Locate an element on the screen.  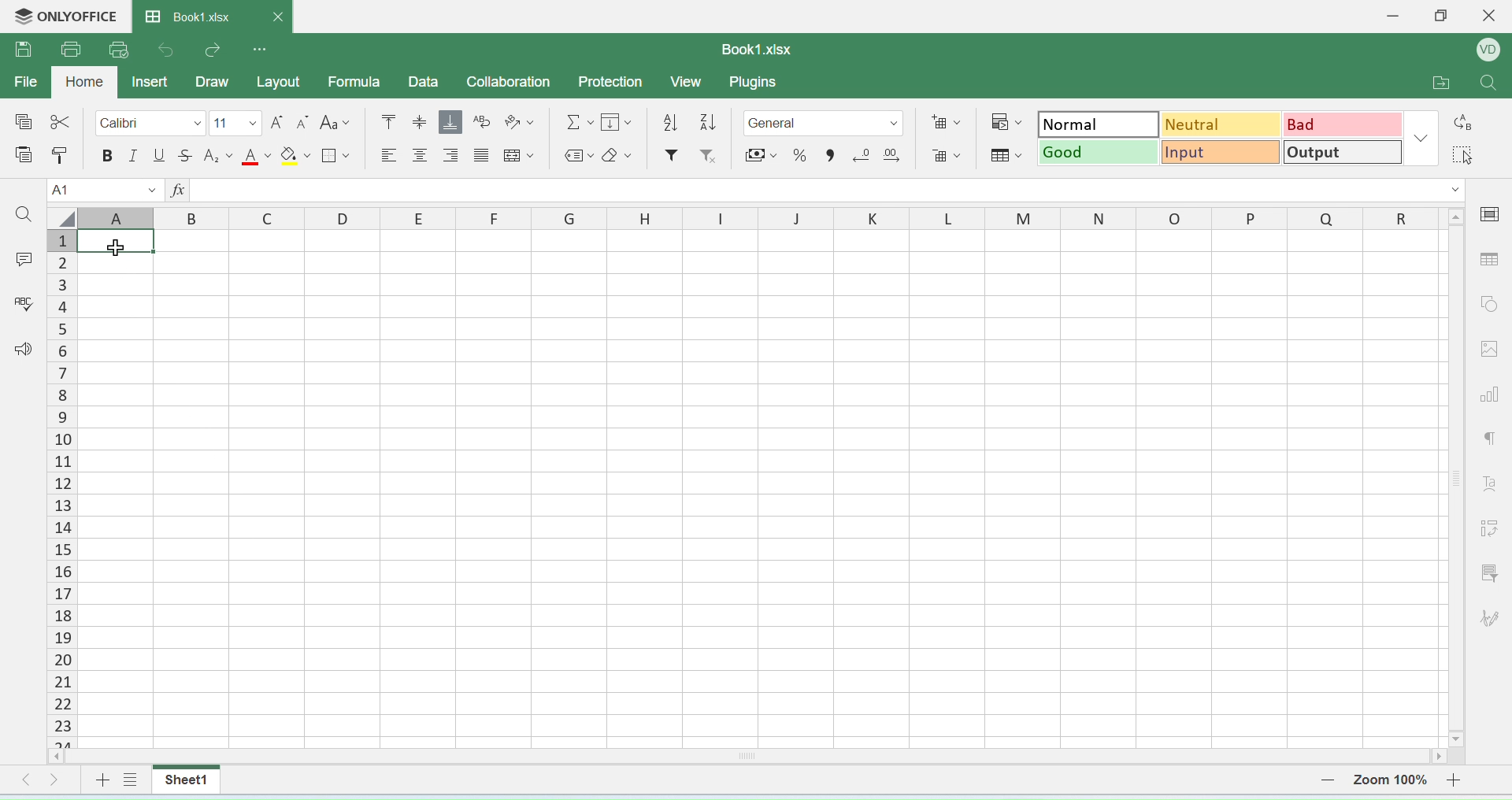
conditional formatting is located at coordinates (1004, 119).